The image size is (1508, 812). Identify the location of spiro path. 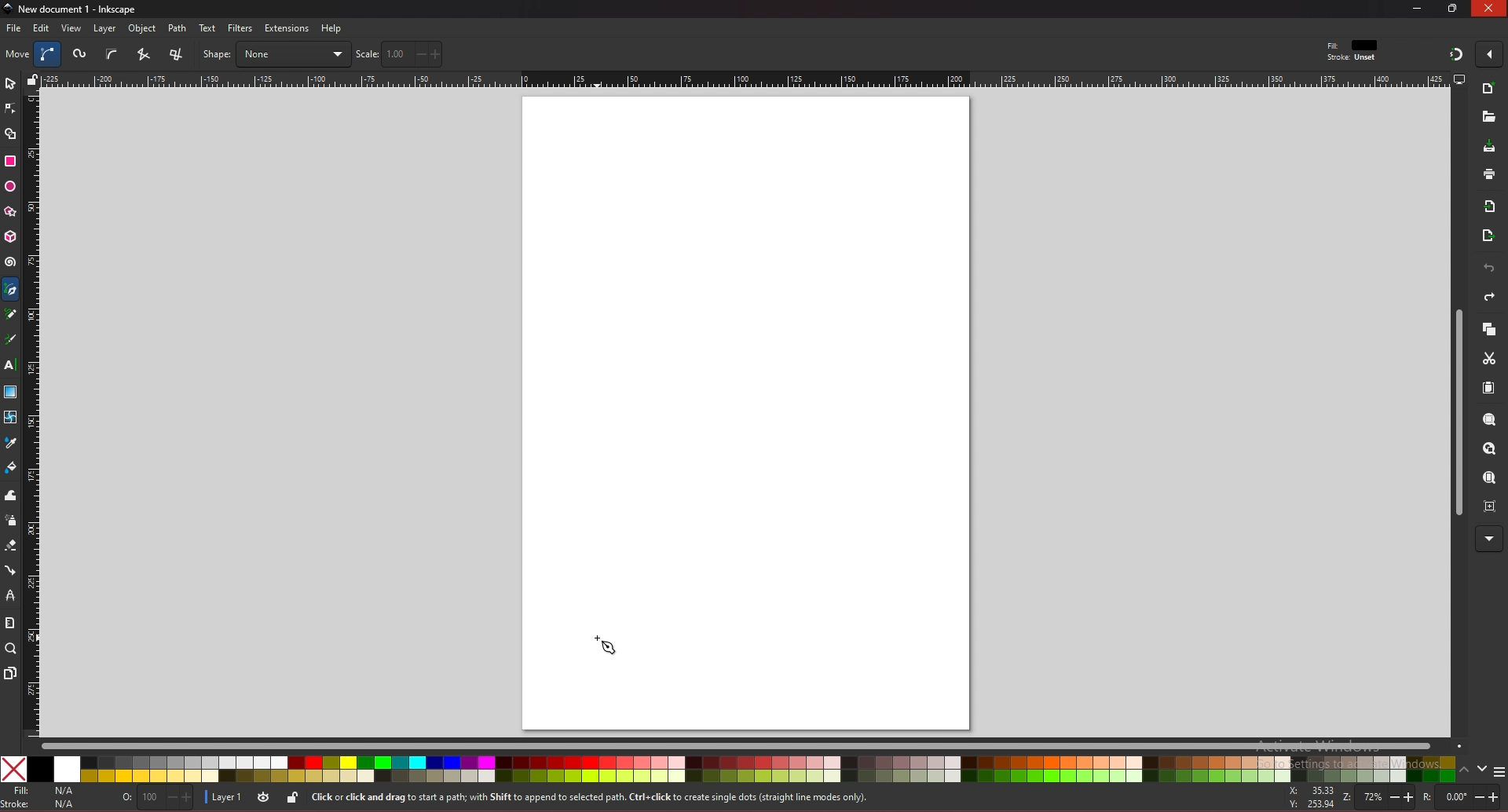
(81, 55).